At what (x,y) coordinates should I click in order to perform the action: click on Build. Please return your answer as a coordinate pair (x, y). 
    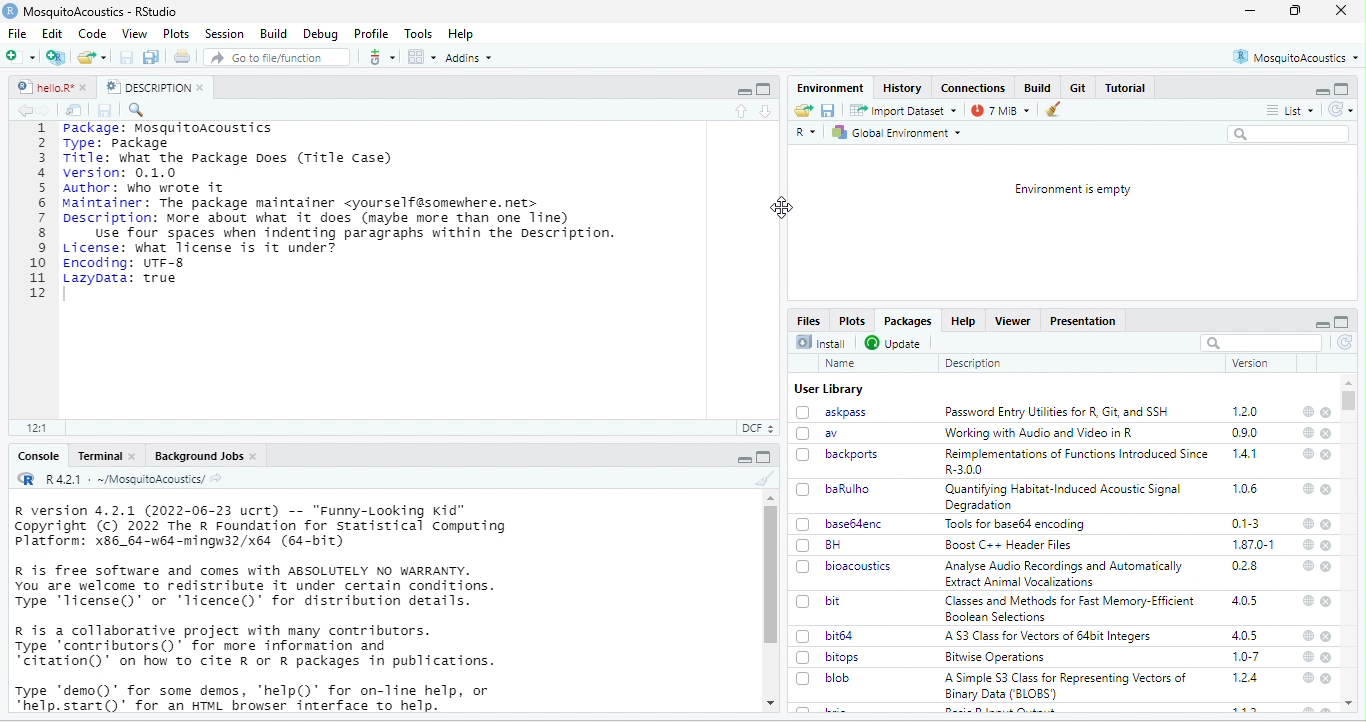
    Looking at the image, I should click on (1039, 87).